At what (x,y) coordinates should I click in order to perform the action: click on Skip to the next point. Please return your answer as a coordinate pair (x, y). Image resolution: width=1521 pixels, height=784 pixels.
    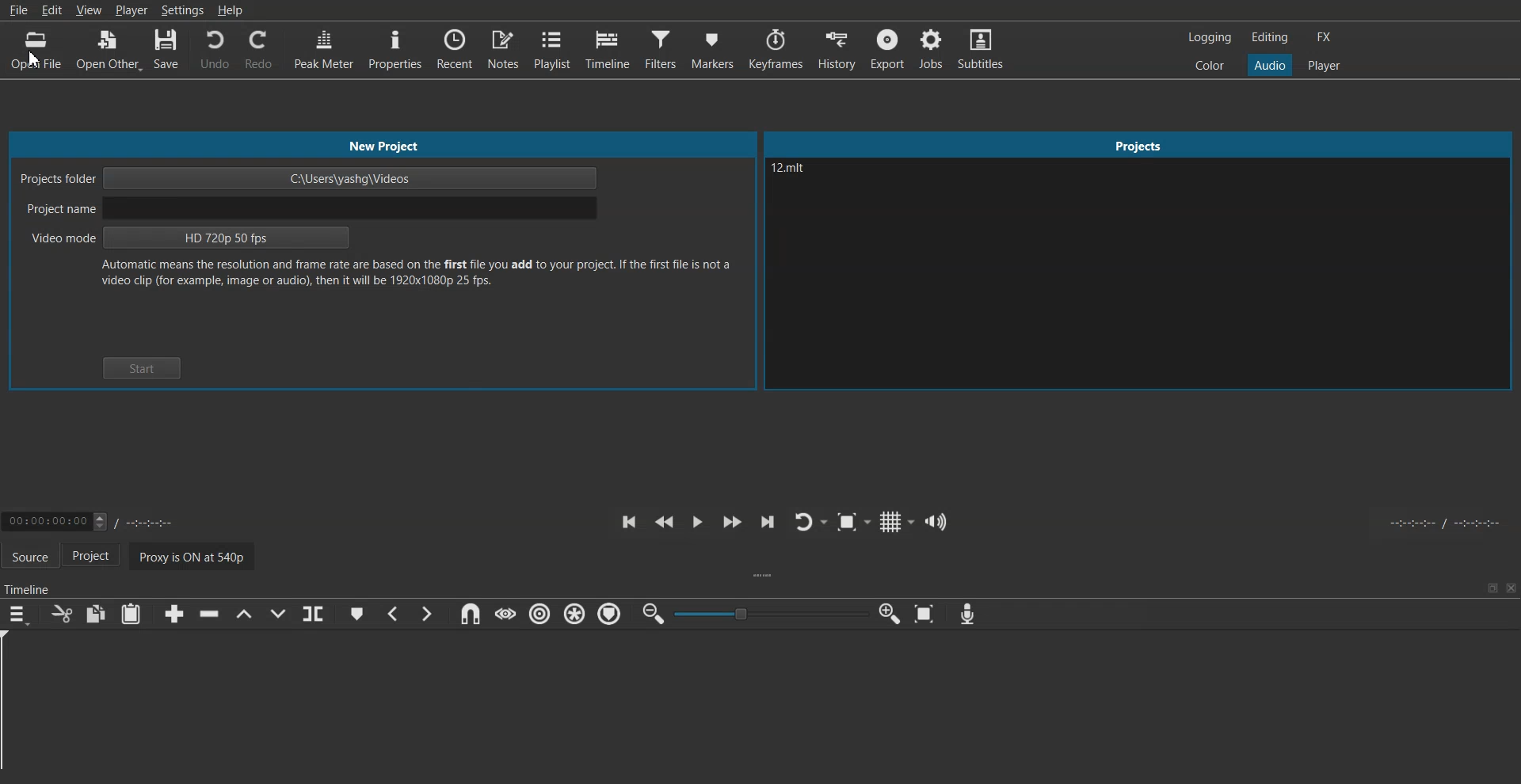
    Looking at the image, I should click on (766, 523).